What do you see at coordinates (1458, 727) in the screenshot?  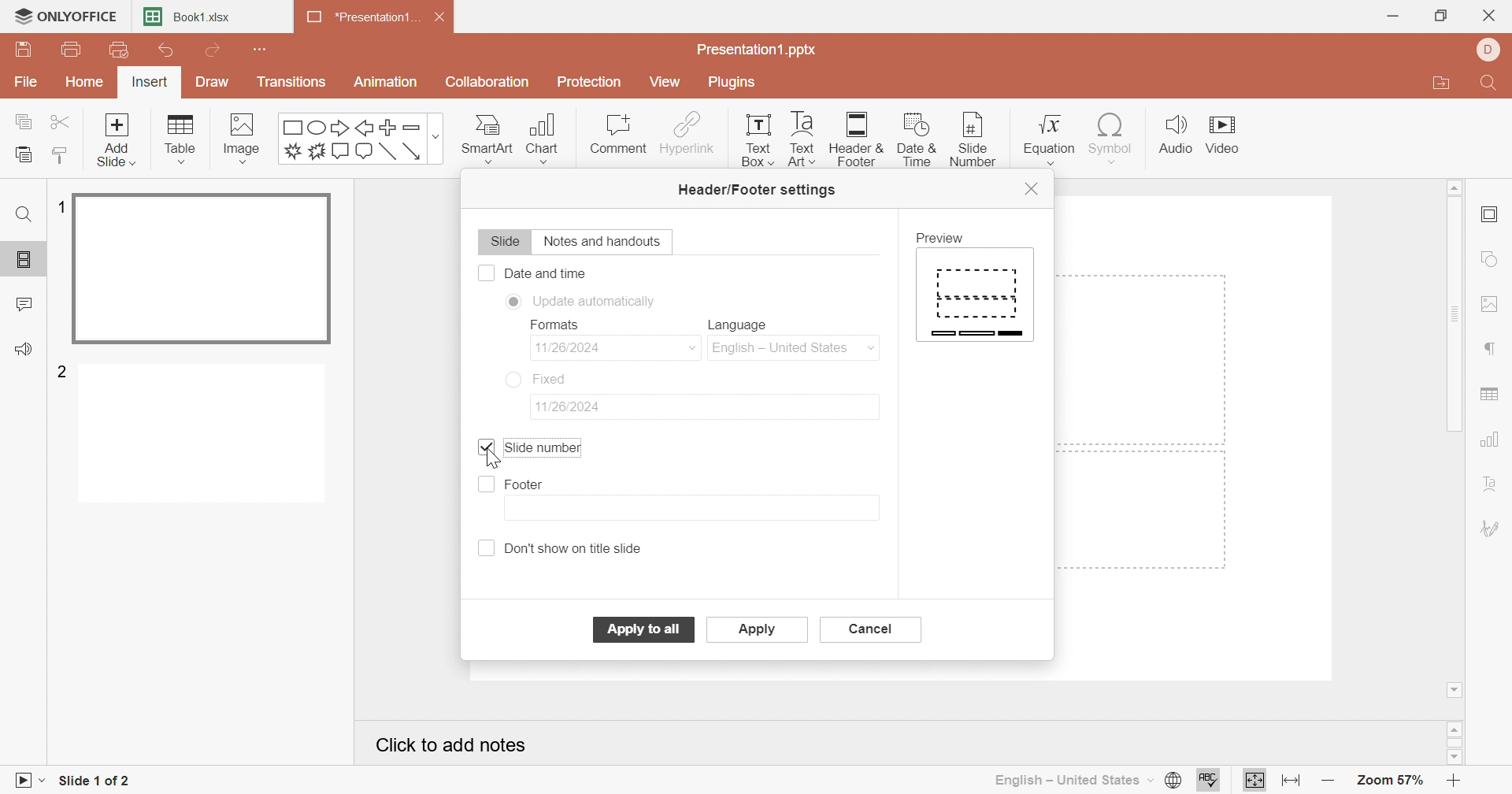 I see `Scroll Up` at bounding box center [1458, 727].